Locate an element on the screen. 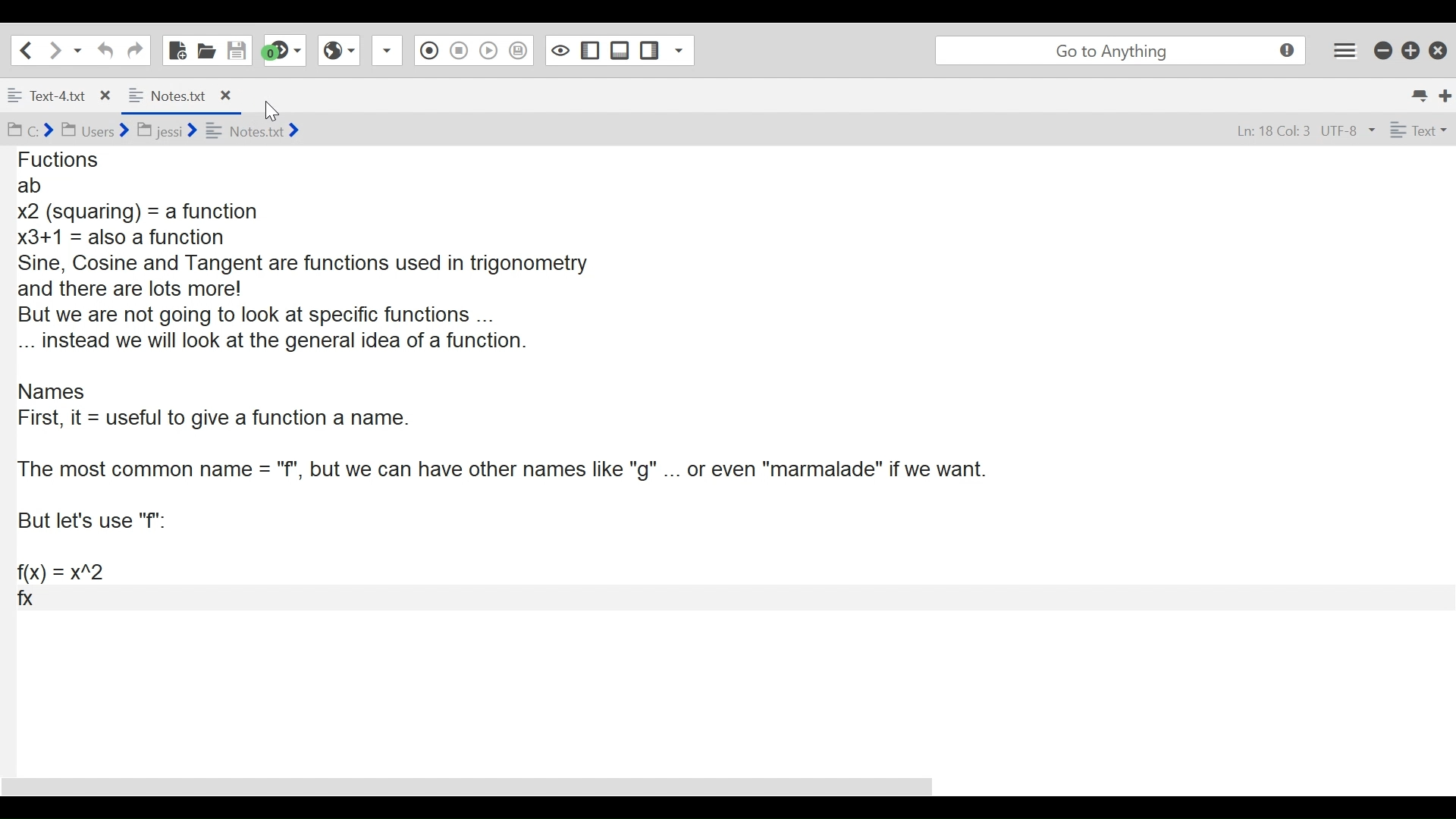 The width and height of the screenshot is (1456, 819). List all tabs is located at coordinates (1418, 93).